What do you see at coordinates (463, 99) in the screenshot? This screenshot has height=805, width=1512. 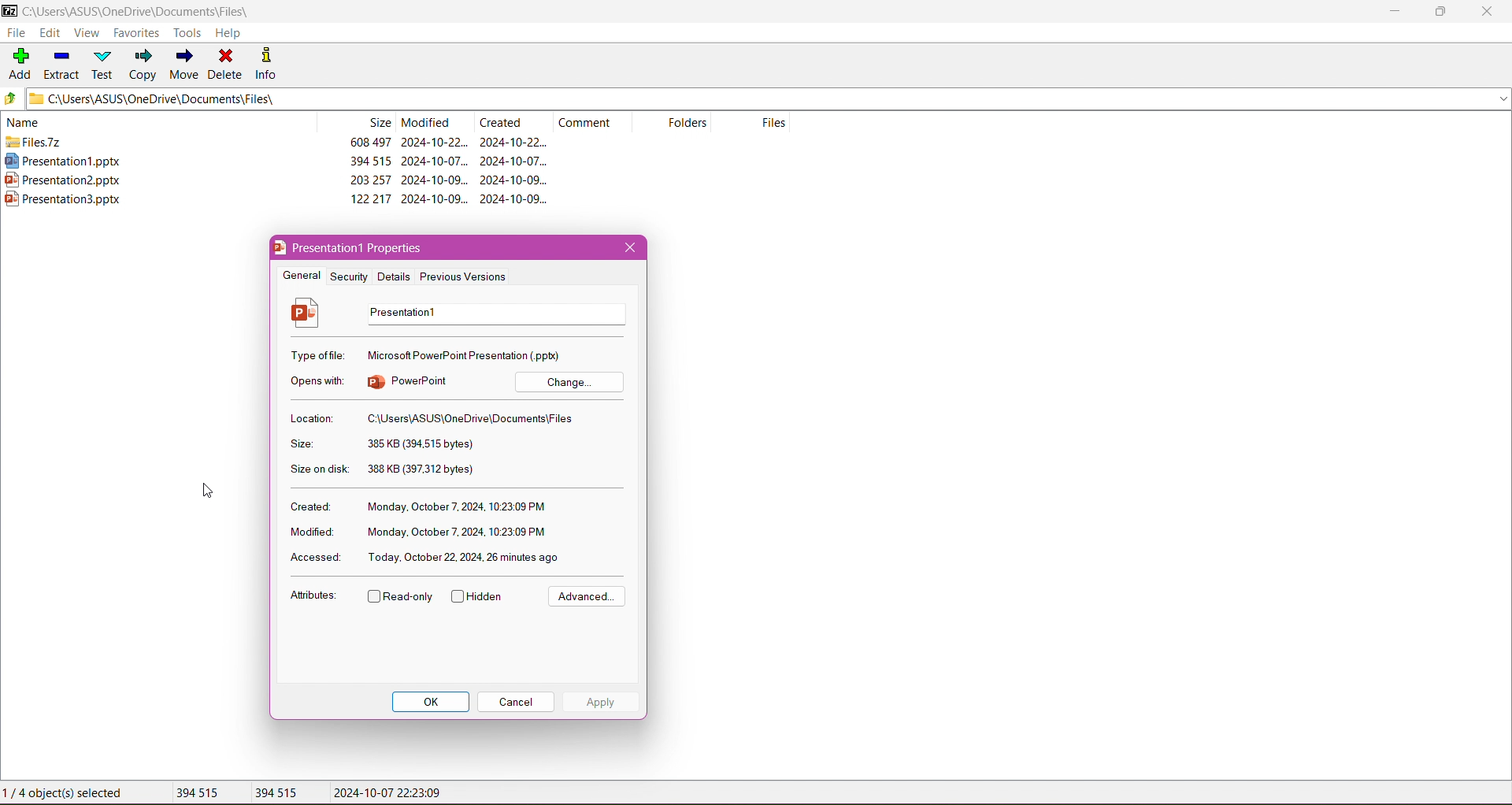 I see `Current Folder Path - C:\Users\ASUS\OneDrive\Documents\Files\` at bounding box center [463, 99].